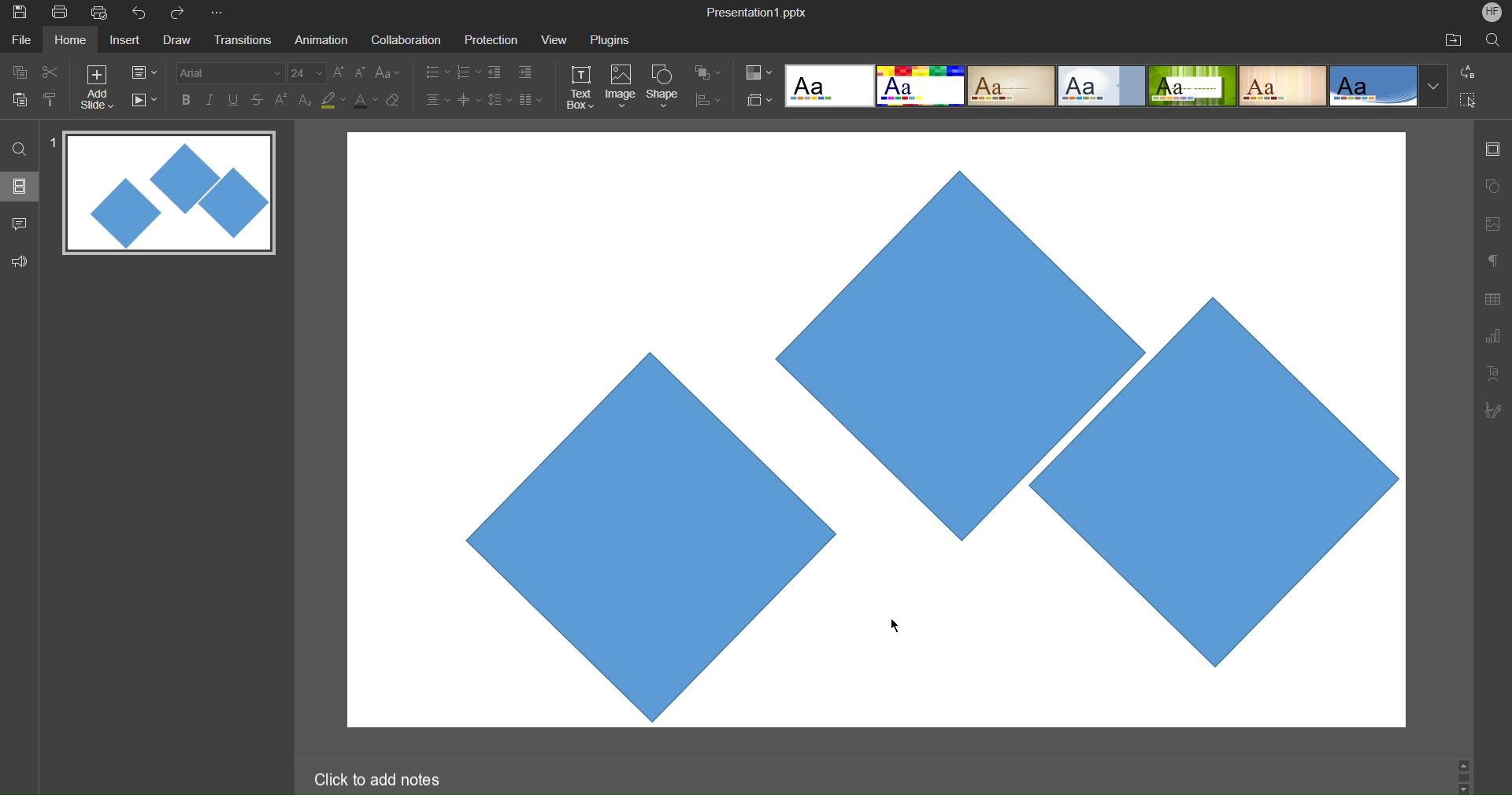 The width and height of the screenshot is (1512, 795). What do you see at coordinates (1117, 84) in the screenshot?
I see `Slide Templates` at bounding box center [1117, 84].